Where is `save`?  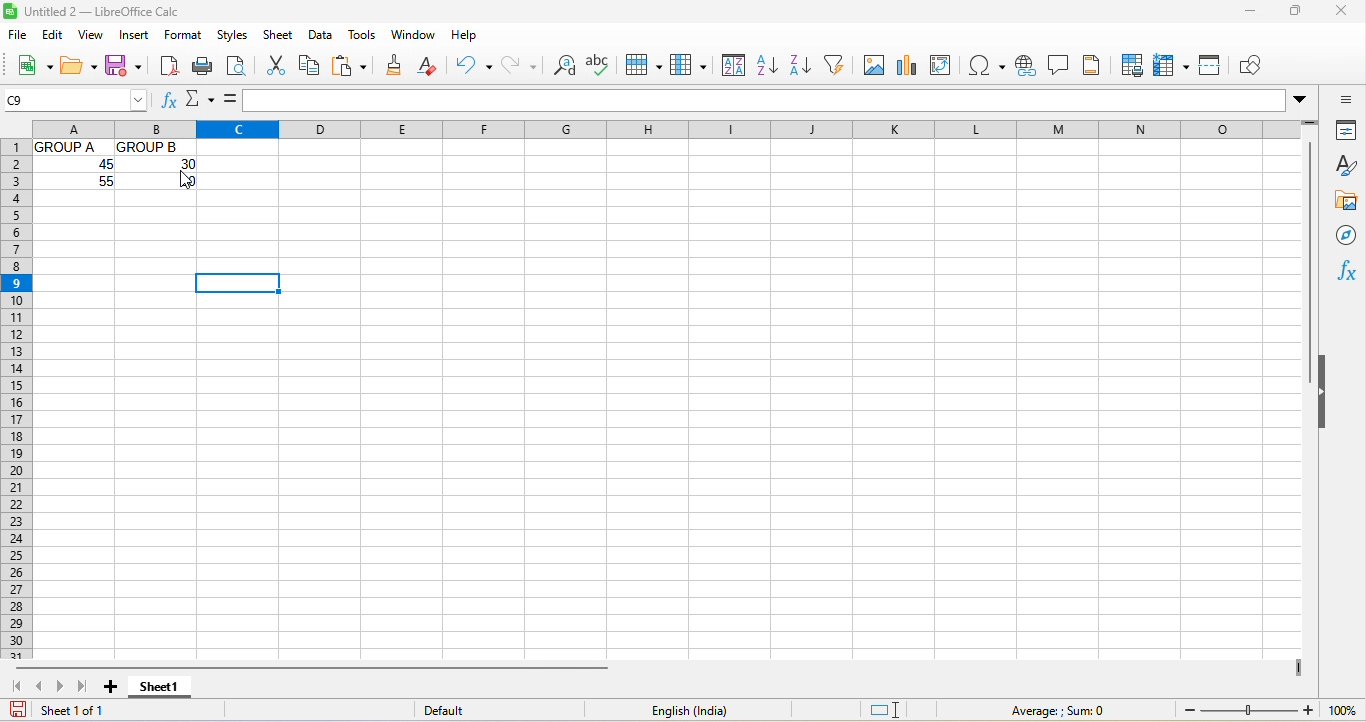 save is located at coordinates (124, 65).